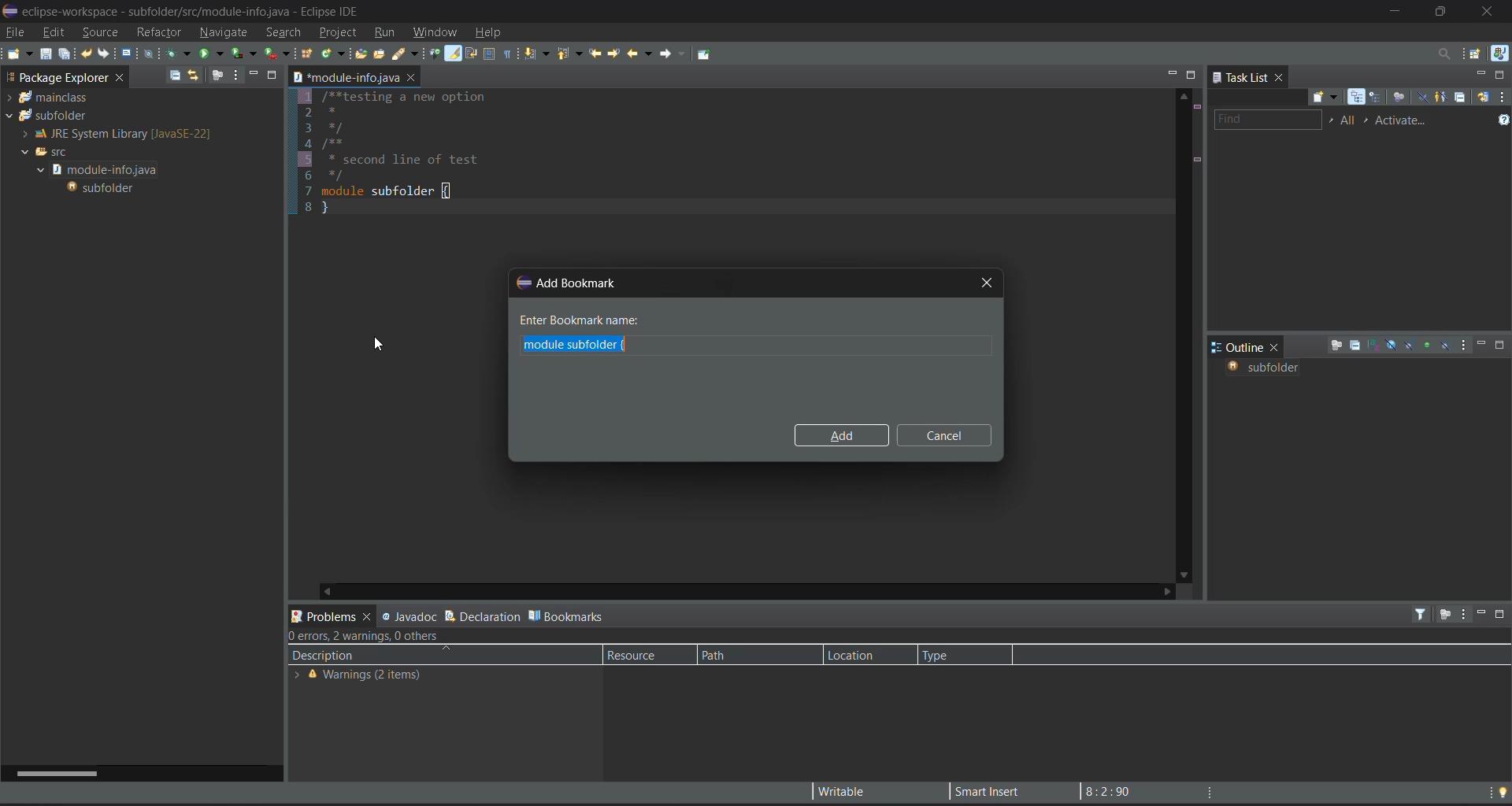 The height and width of the screenshot is (806, 1512). Describe the element at coordinates (65, 775) in the screenshot. I see `horizontal scroll bar` at that location.